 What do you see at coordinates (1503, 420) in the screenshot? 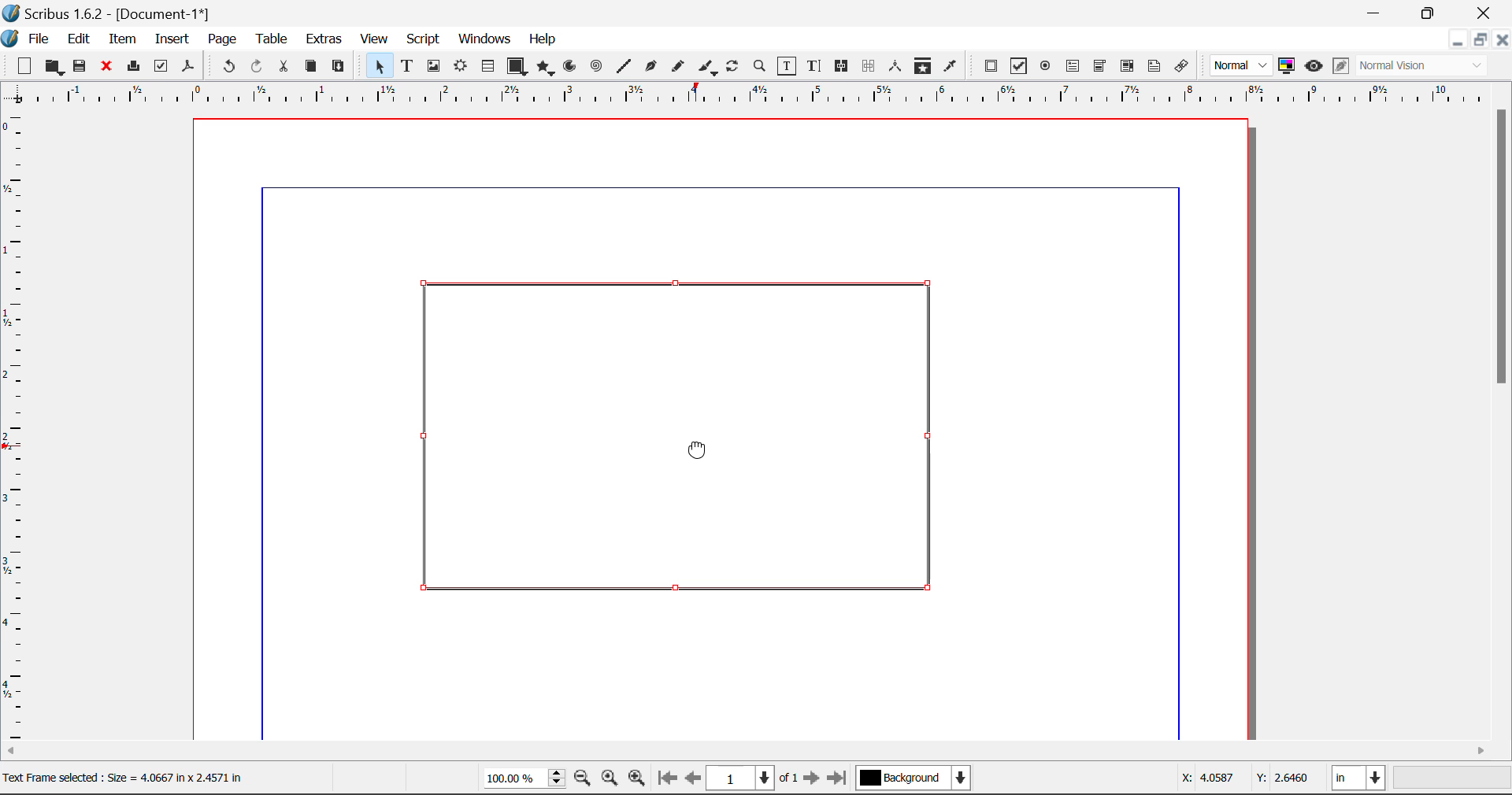
I see `Scroll Bar` at bounding box center [1503, 420].